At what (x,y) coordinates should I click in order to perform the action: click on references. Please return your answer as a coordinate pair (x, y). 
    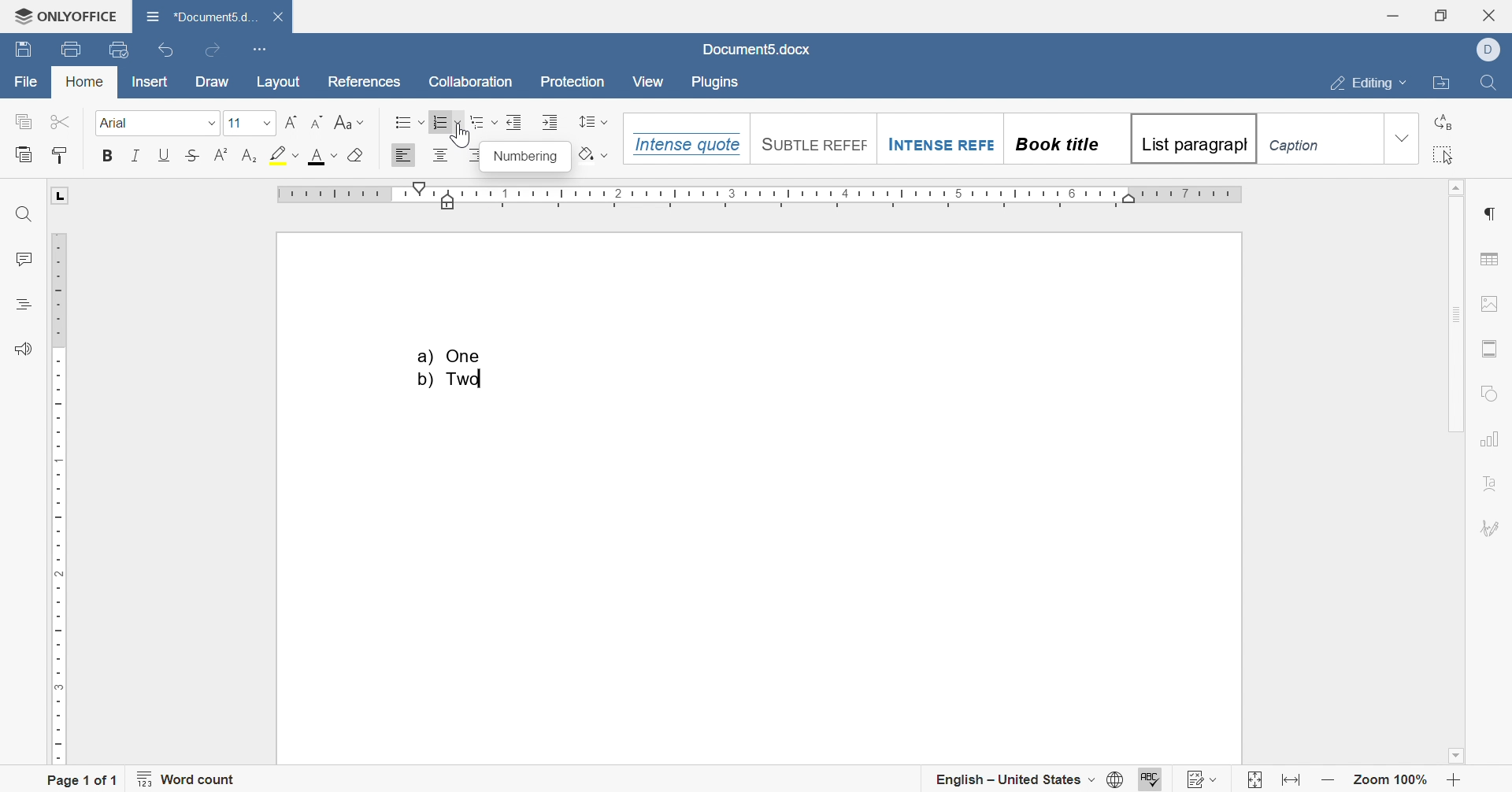
    Looking at the image, I should click on (364, 83).